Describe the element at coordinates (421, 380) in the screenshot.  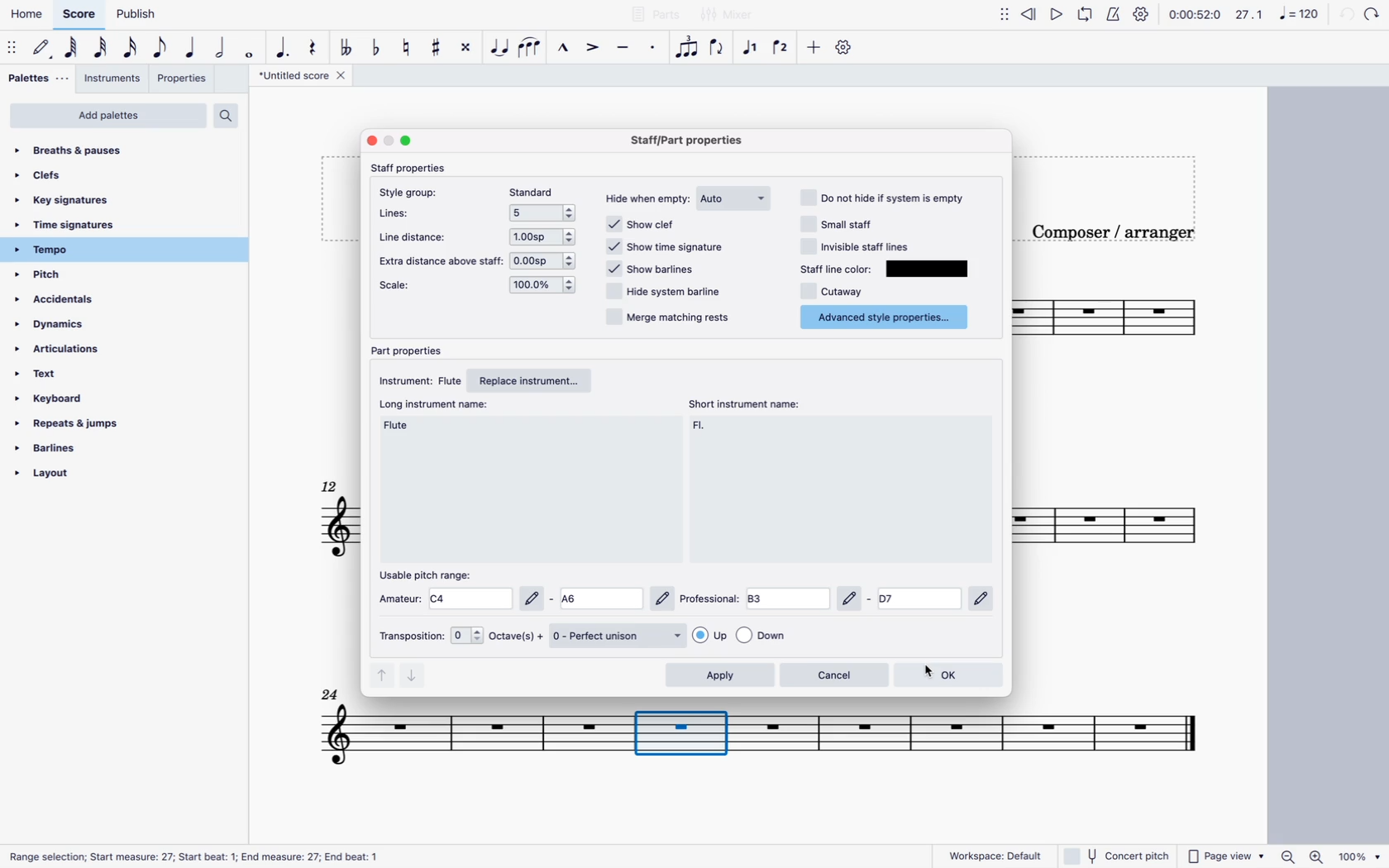
I see `instrument` at that location.